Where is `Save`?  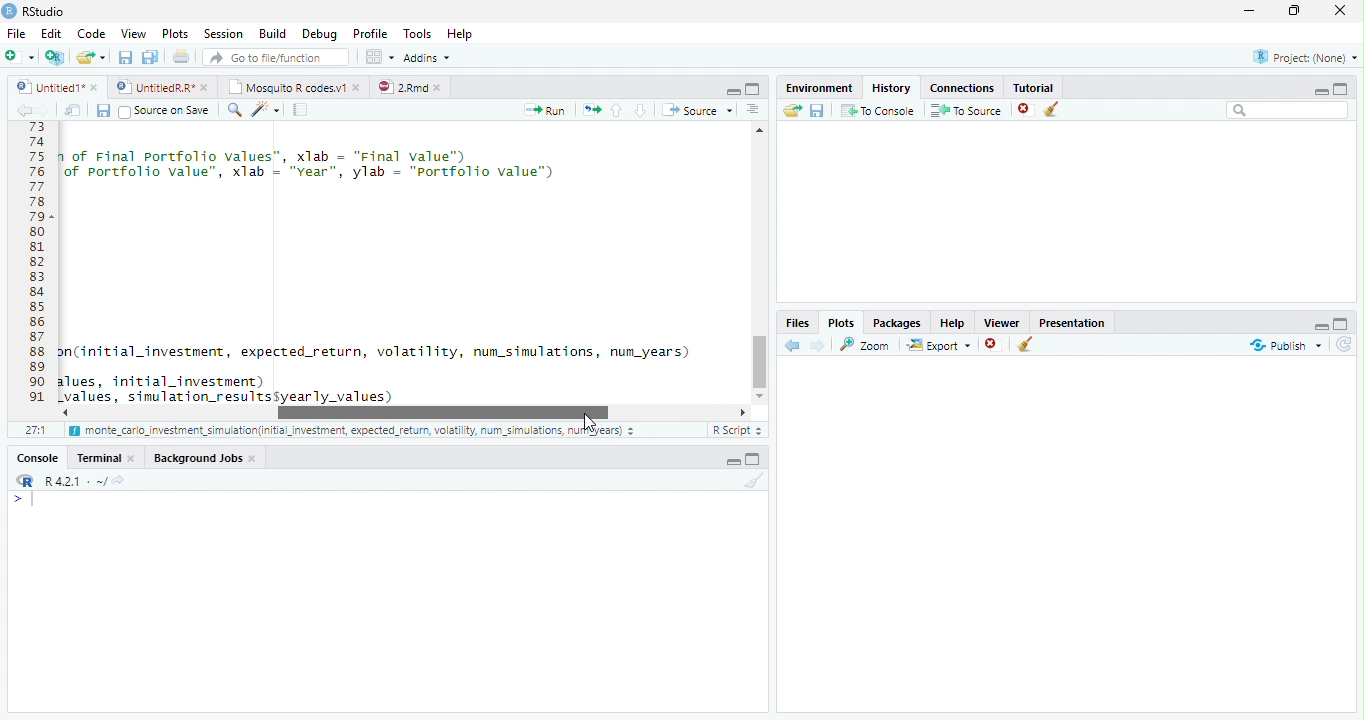 Save is located at coordinates (103, 110).